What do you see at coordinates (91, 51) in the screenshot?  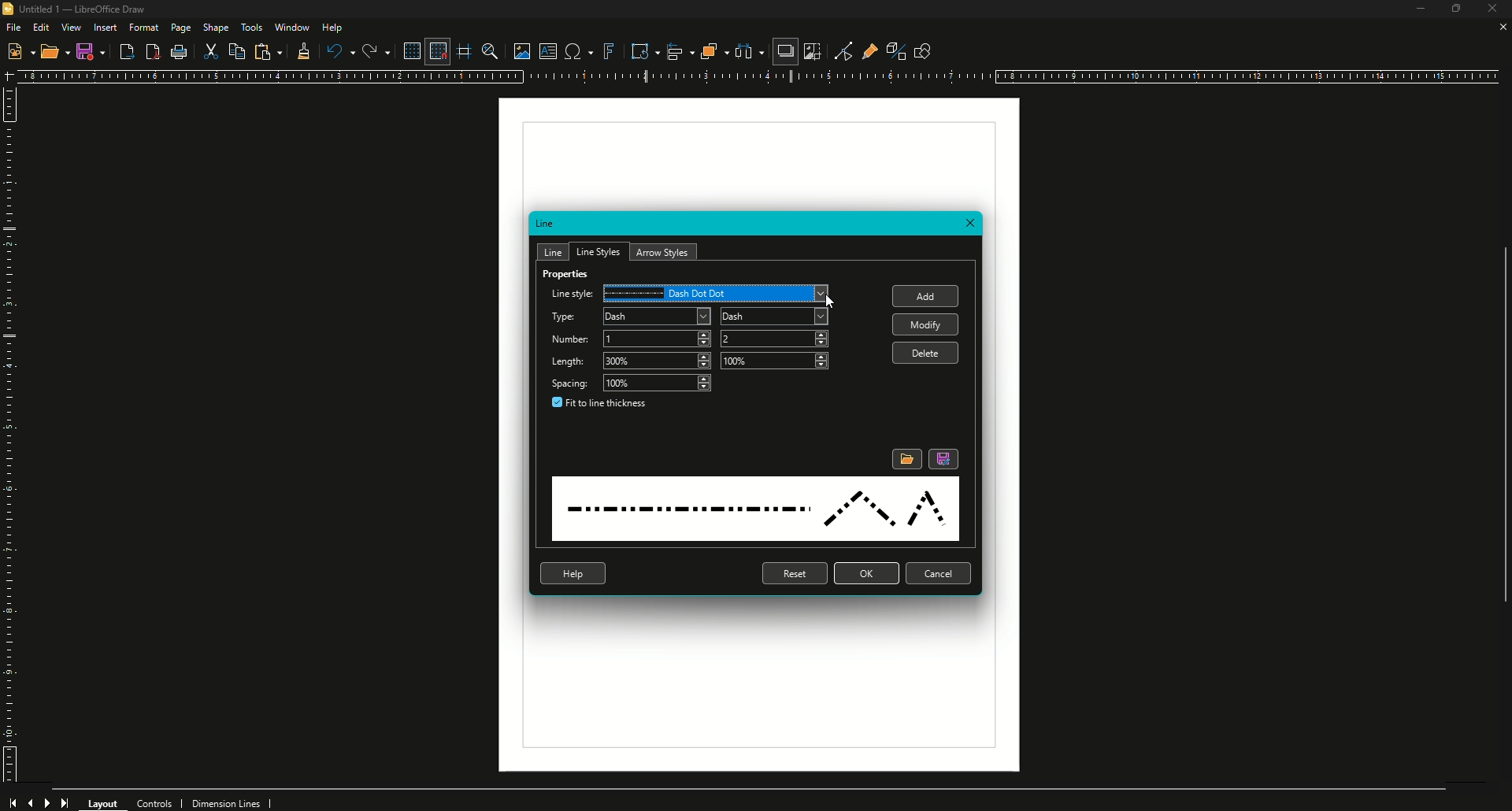 I see `Save` at bounding box center [91, 51].